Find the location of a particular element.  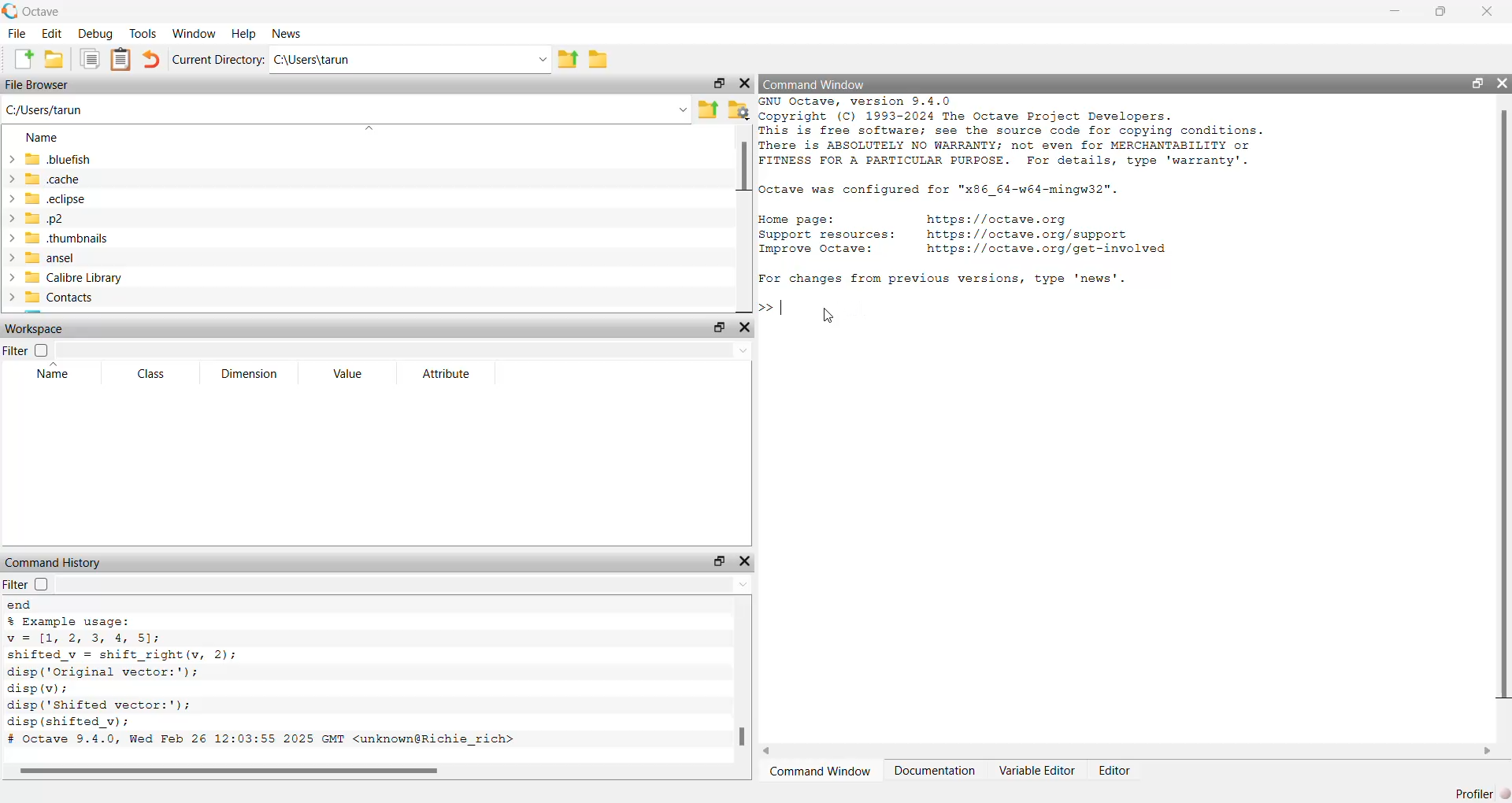

hide widget is located at coordinates (1503, 86).